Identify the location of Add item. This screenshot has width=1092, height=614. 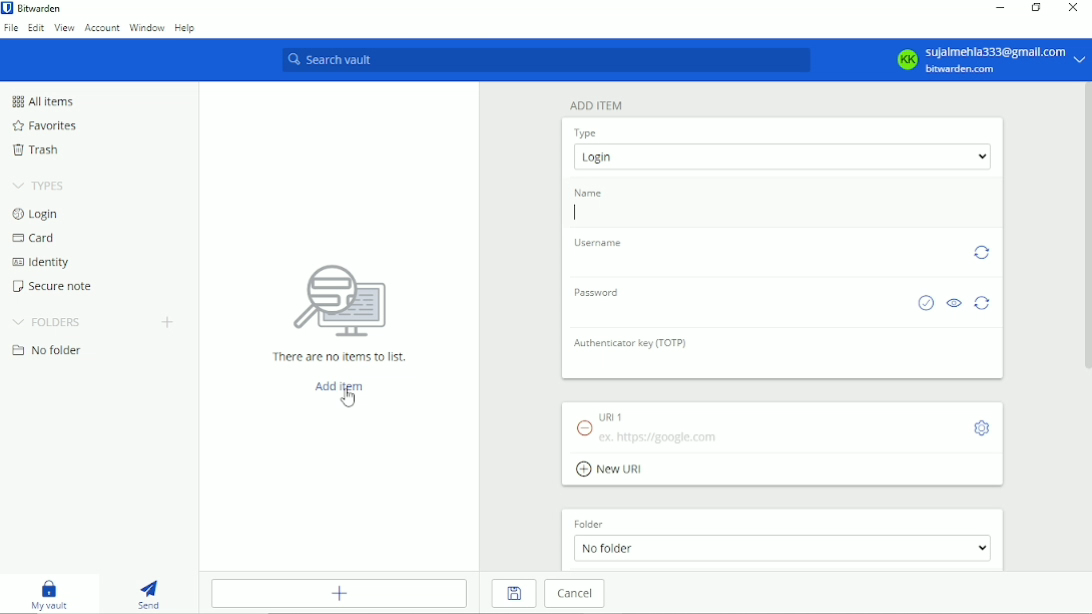
(339, 386).